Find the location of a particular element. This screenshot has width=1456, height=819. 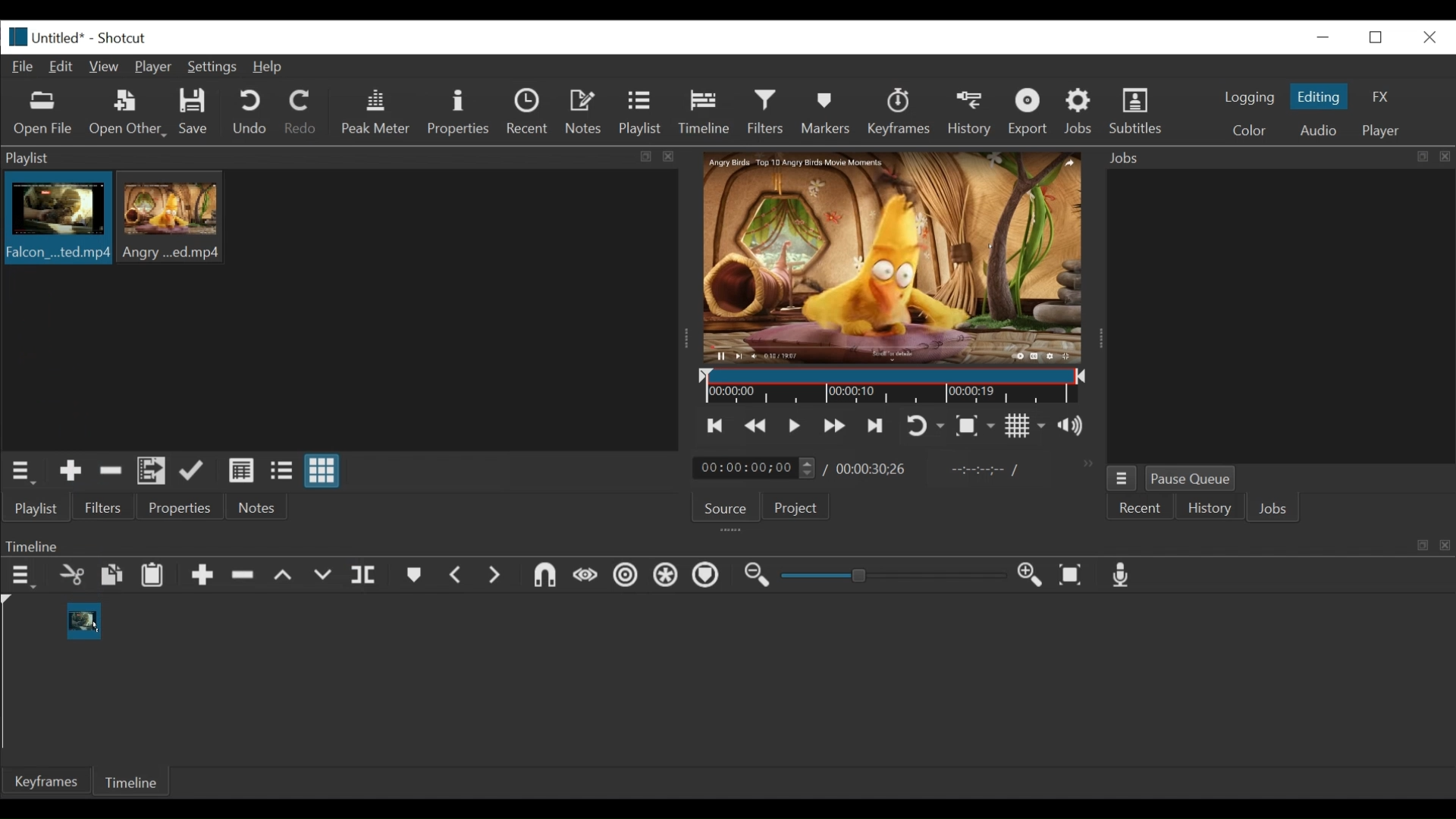

Audio is located at coordinates (1317, 130).